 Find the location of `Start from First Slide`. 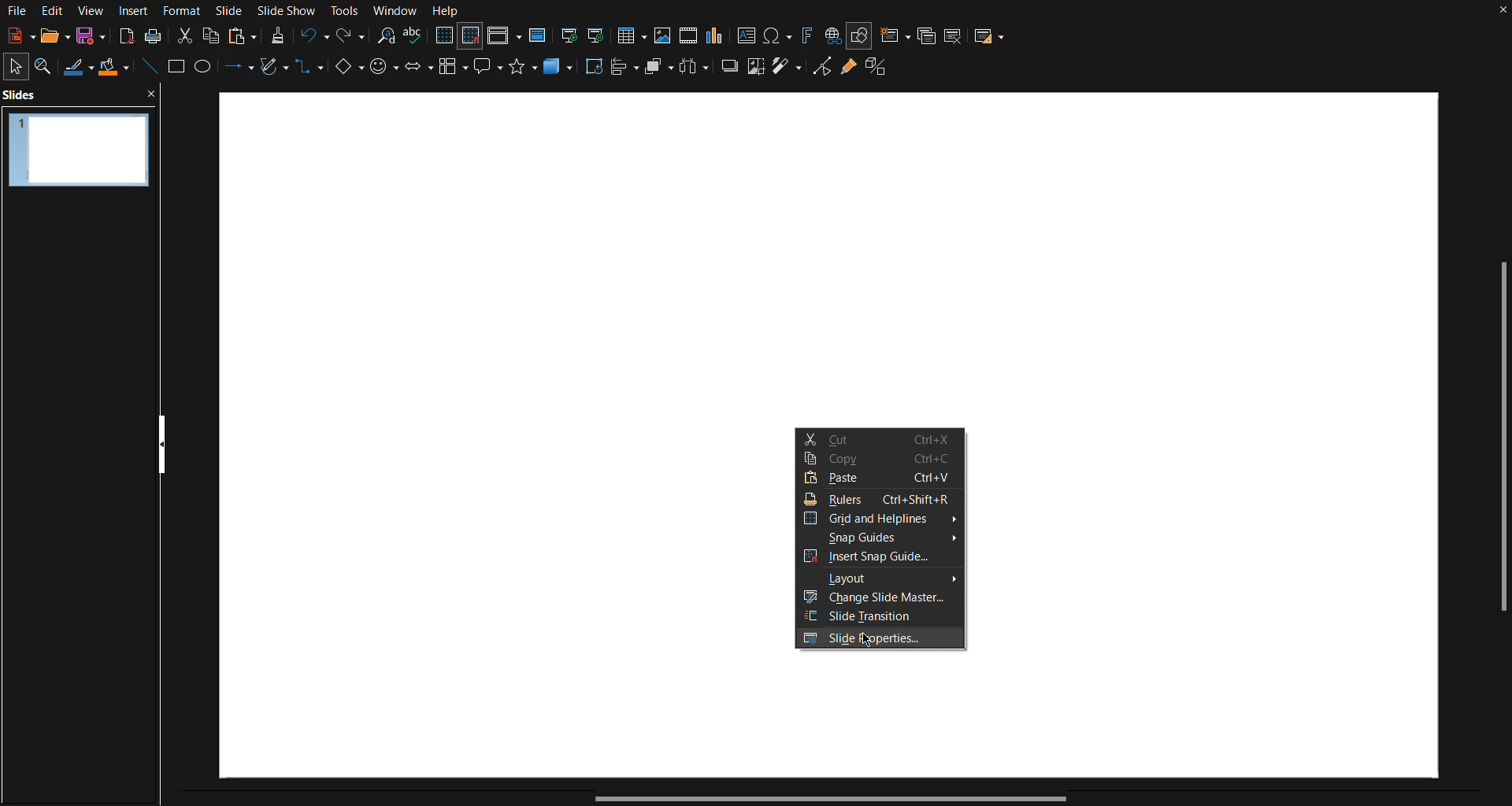

Start from First Slide is located at coordinates (569, 34).